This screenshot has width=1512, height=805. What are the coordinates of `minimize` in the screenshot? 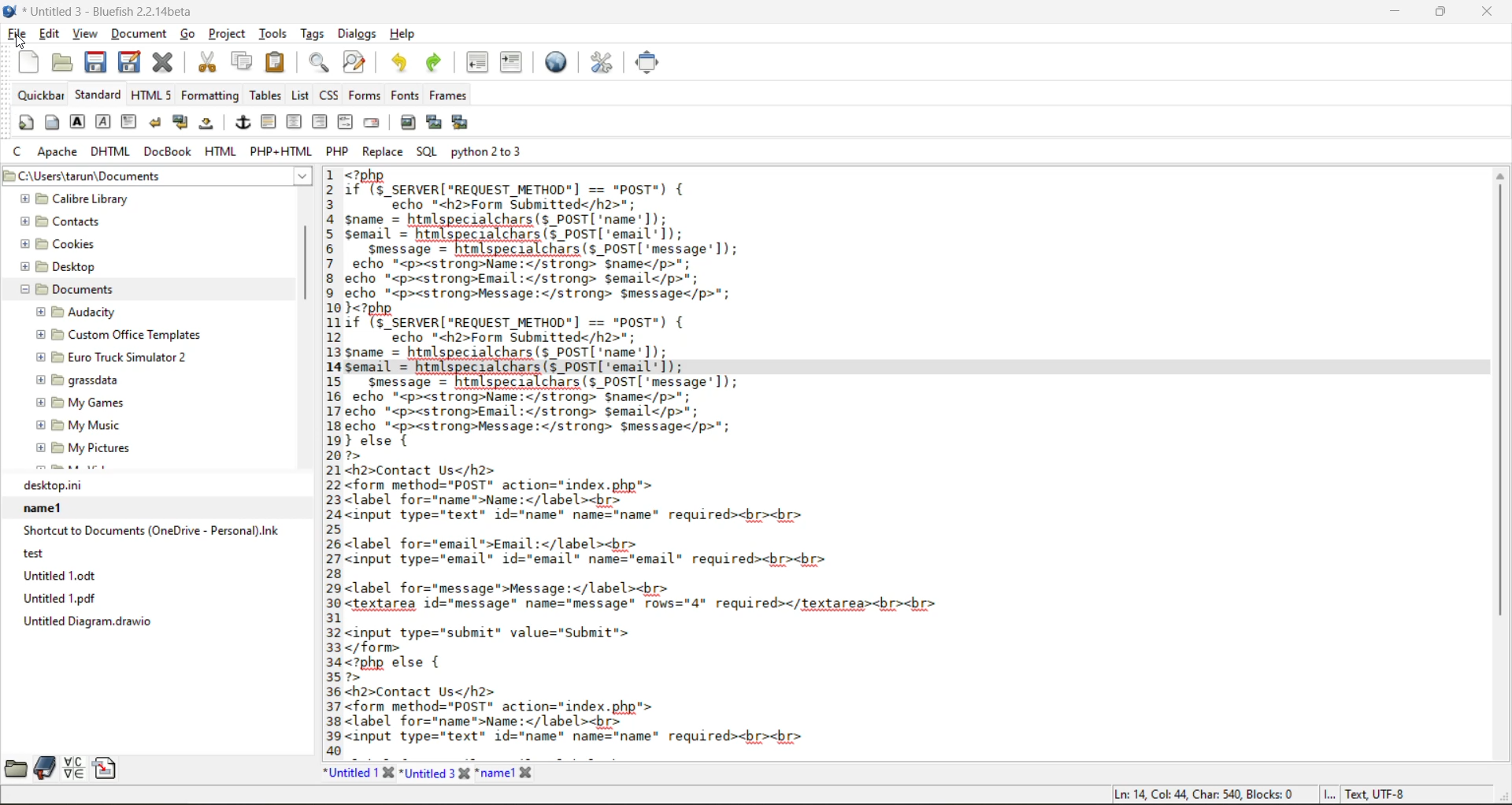 It's located at (1392, 11).